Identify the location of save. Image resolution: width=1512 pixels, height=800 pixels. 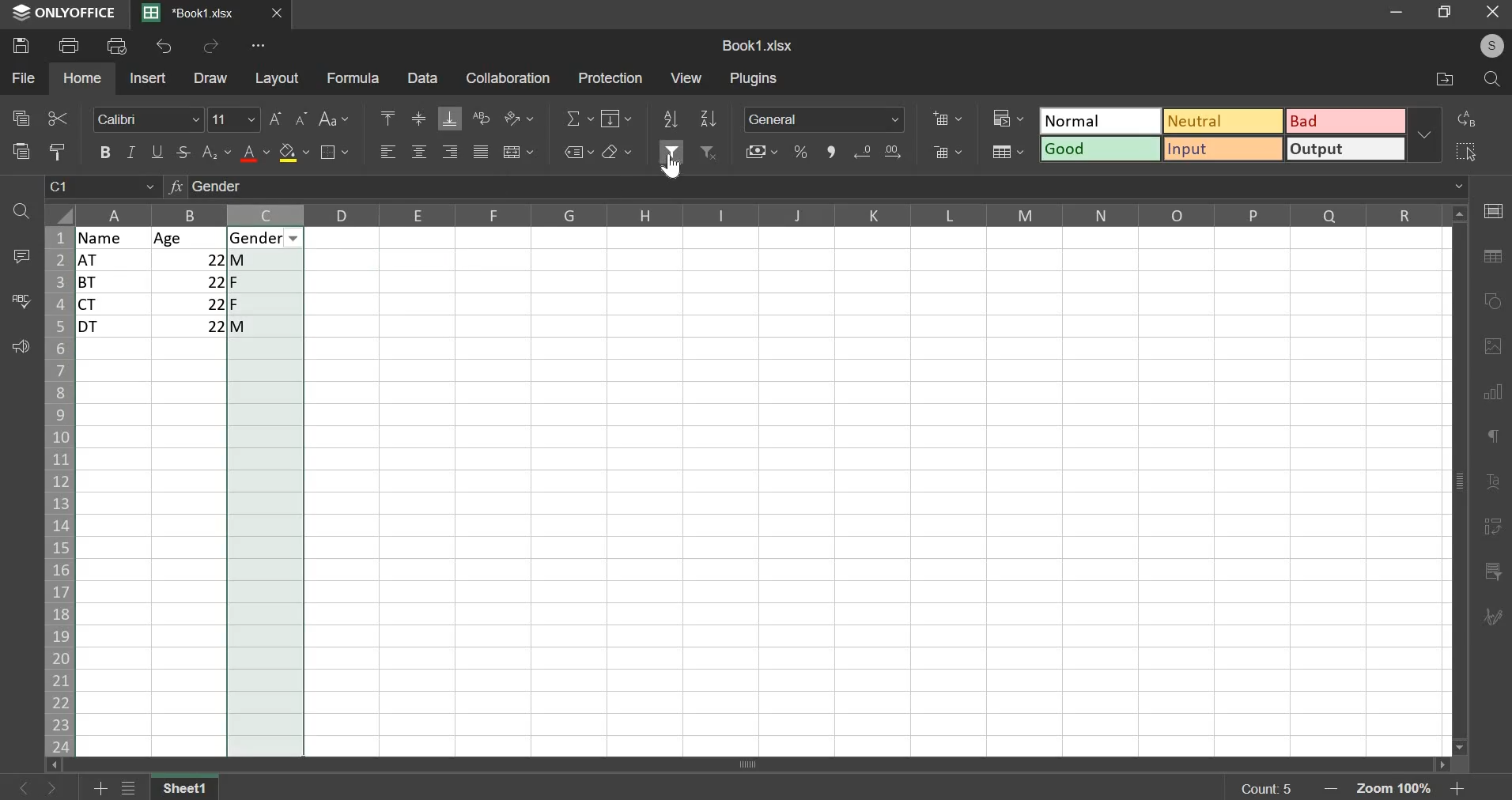
(20, 46).